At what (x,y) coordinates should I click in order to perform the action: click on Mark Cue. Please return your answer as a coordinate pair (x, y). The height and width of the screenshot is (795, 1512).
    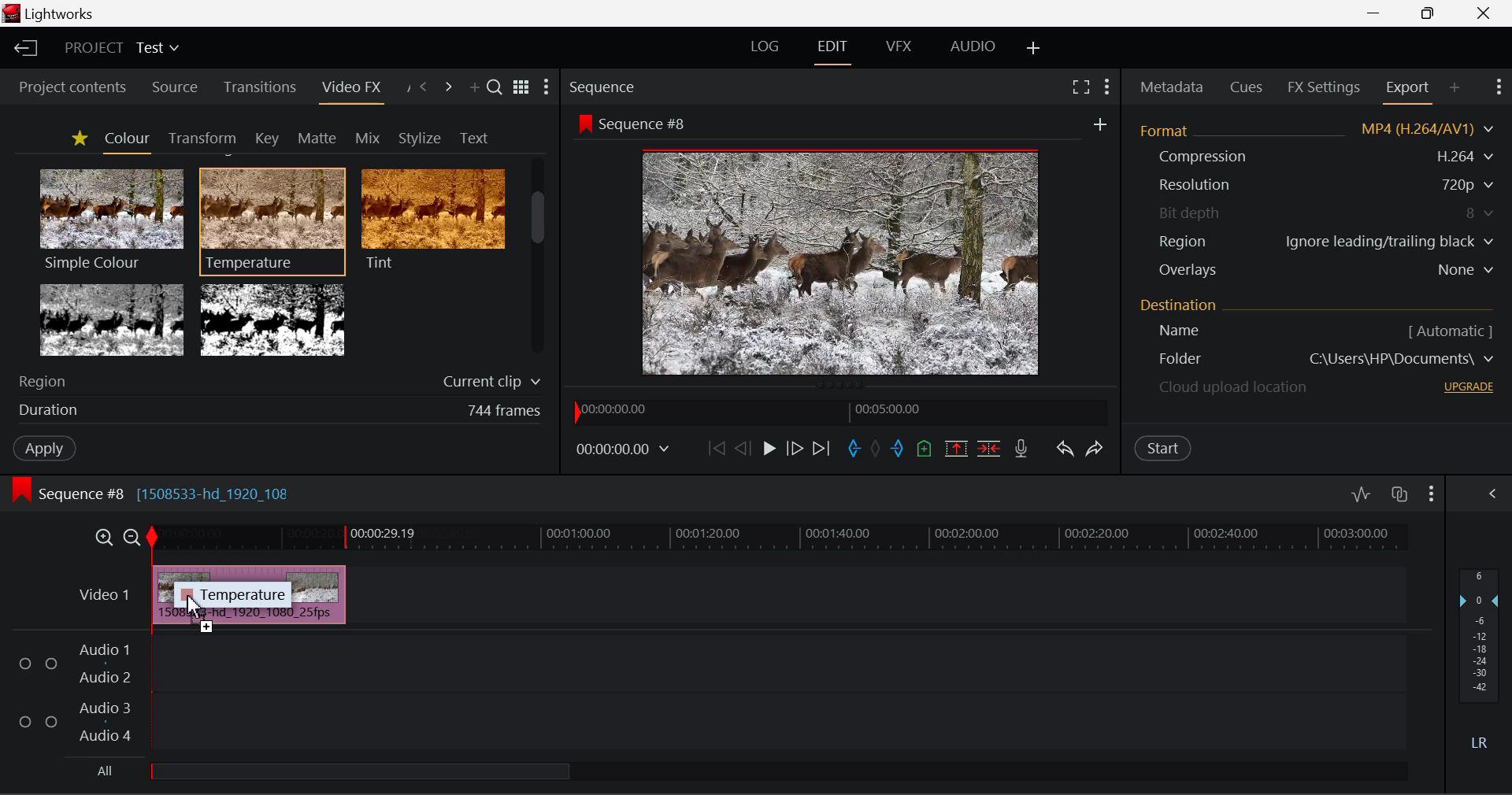
    Looking at the image, I should click on (925, 450).